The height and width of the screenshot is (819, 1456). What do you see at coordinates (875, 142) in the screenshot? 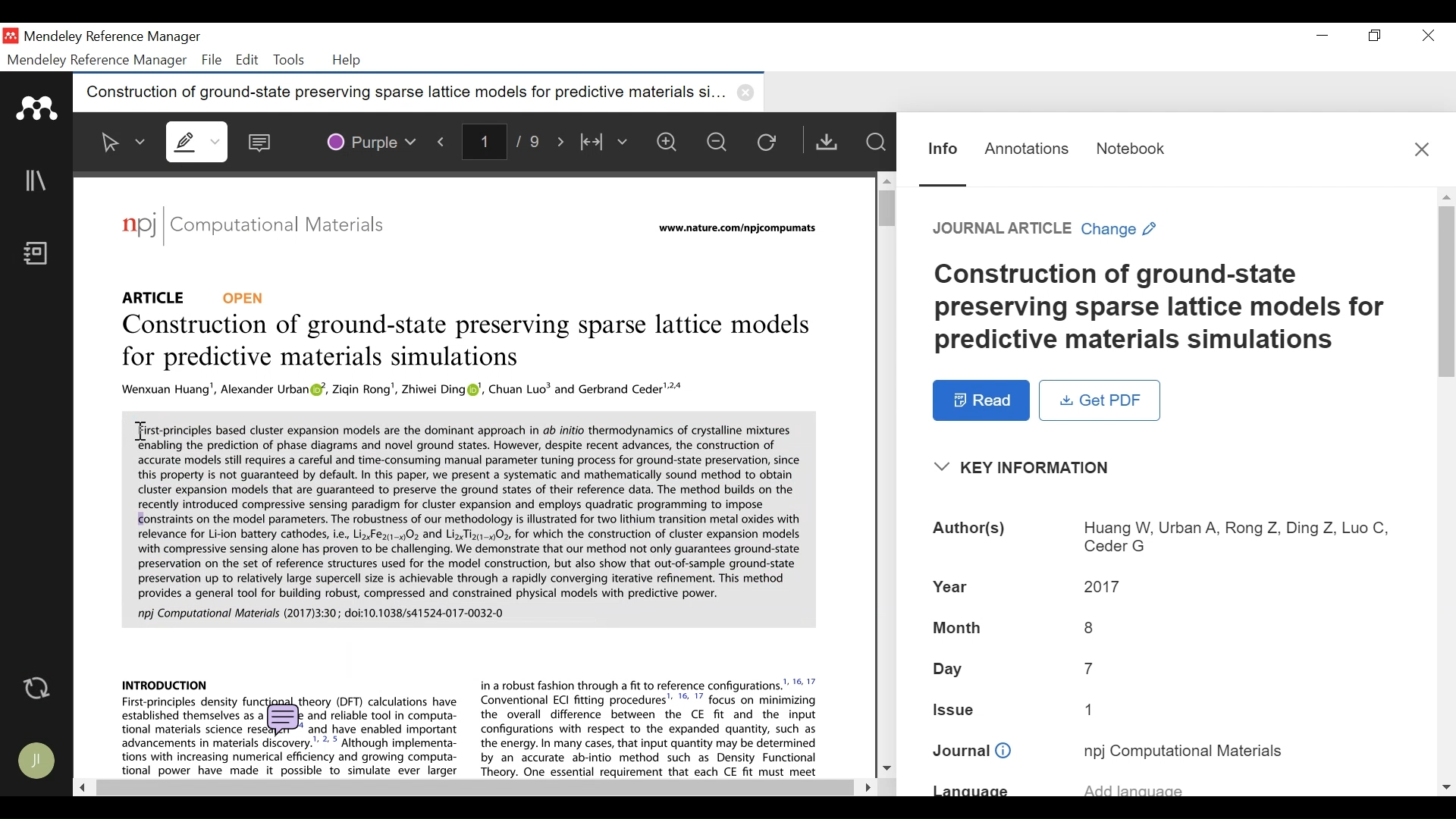
I see `Find in Files` at bounding box center [875, 142].